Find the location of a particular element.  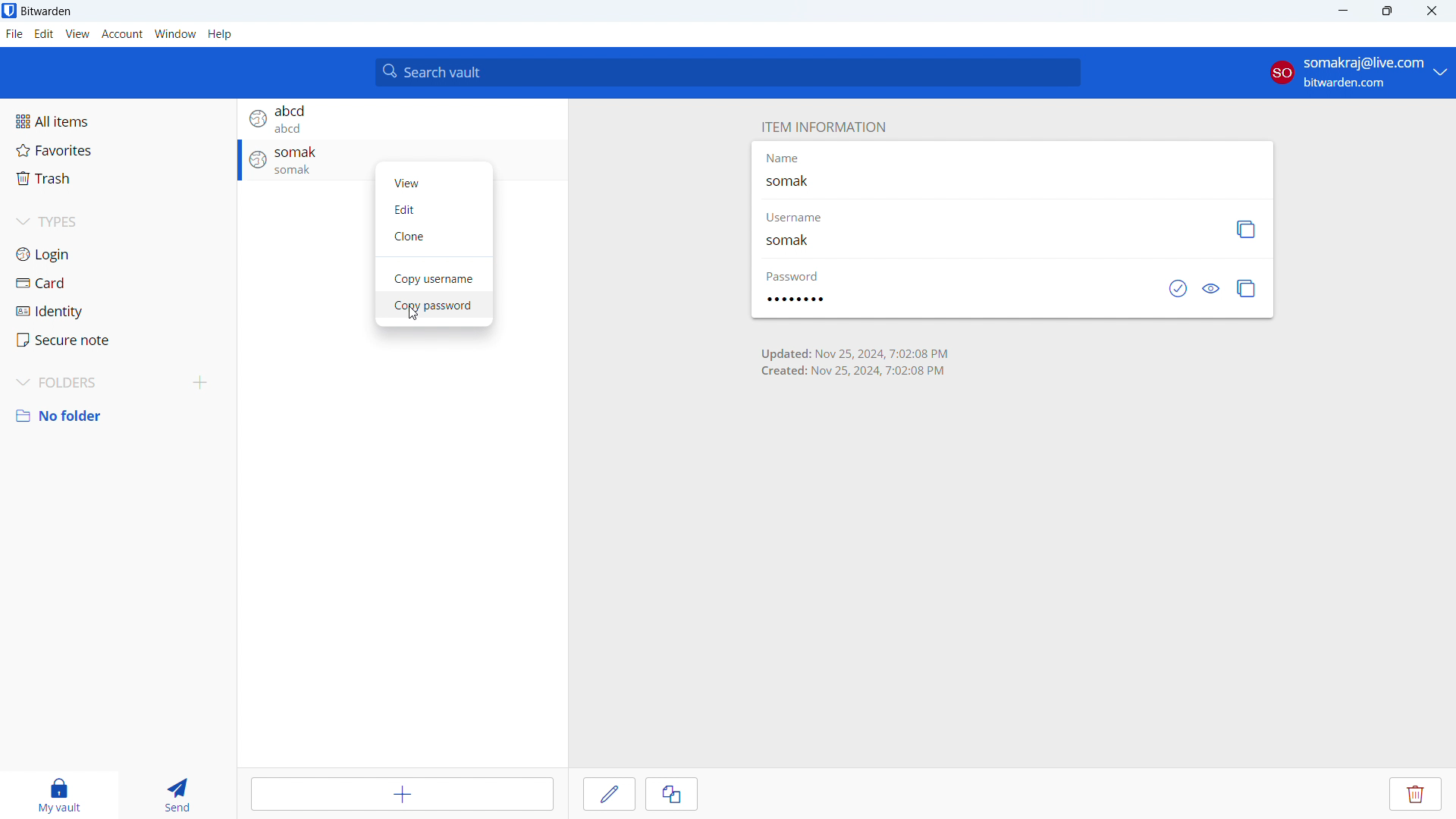

Name is located at coordinates (783, 157).